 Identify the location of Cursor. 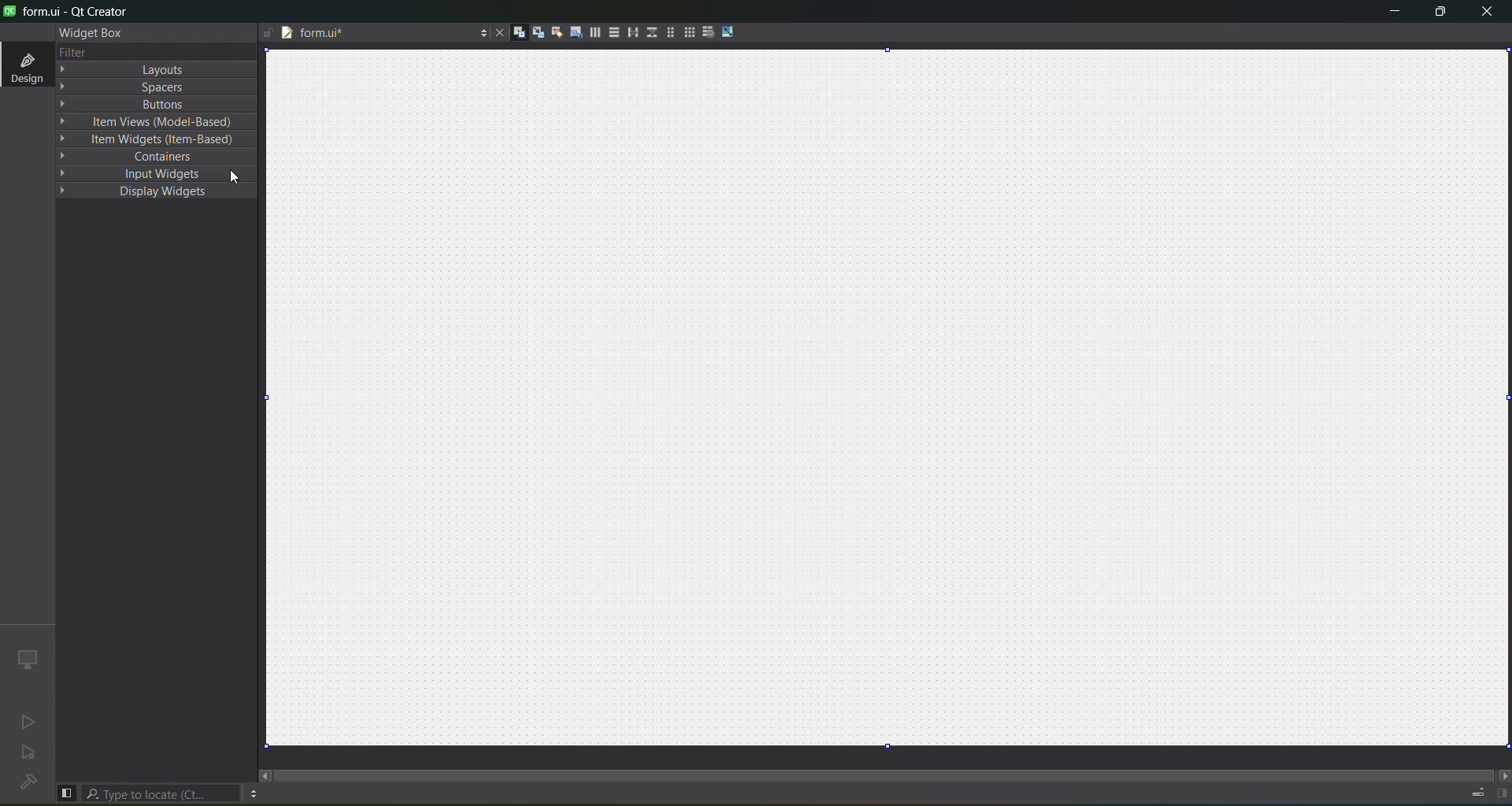
(233, 172).